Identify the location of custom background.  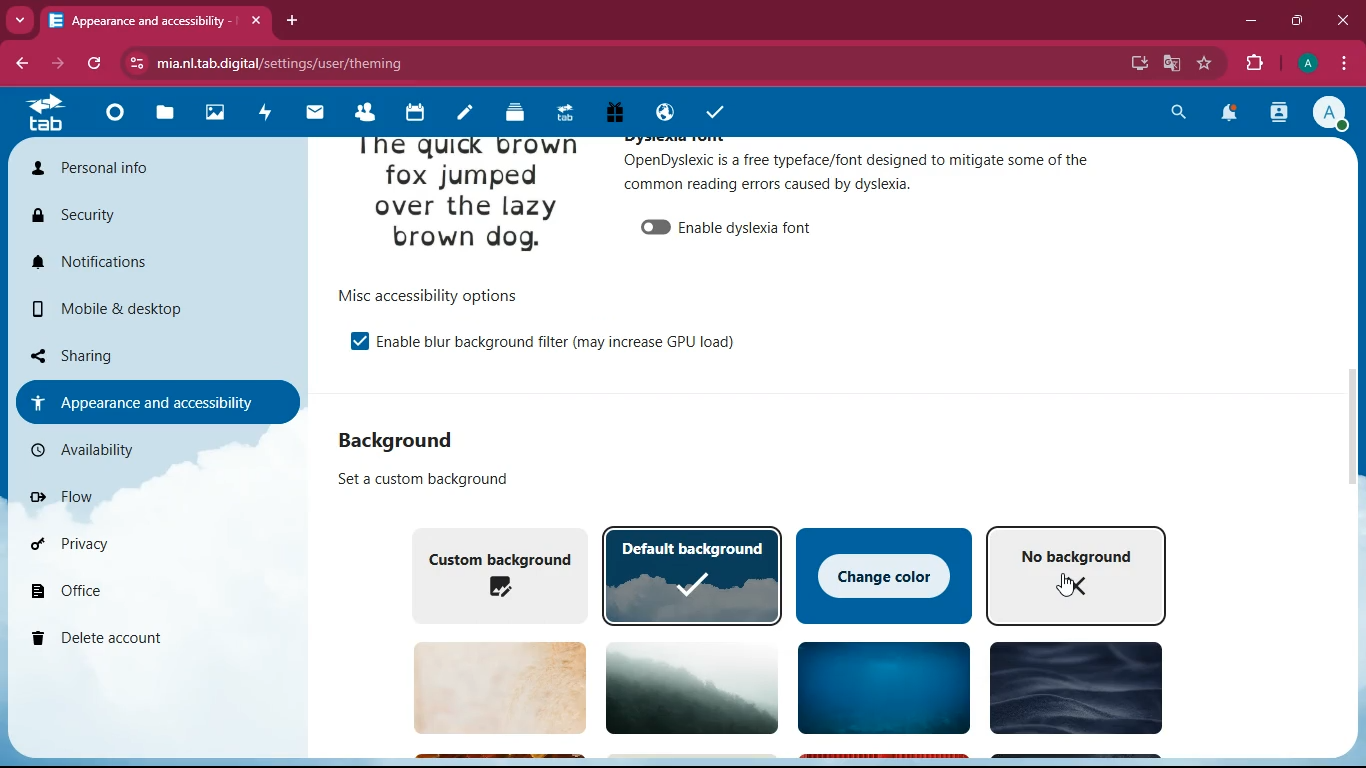
(493, 573).